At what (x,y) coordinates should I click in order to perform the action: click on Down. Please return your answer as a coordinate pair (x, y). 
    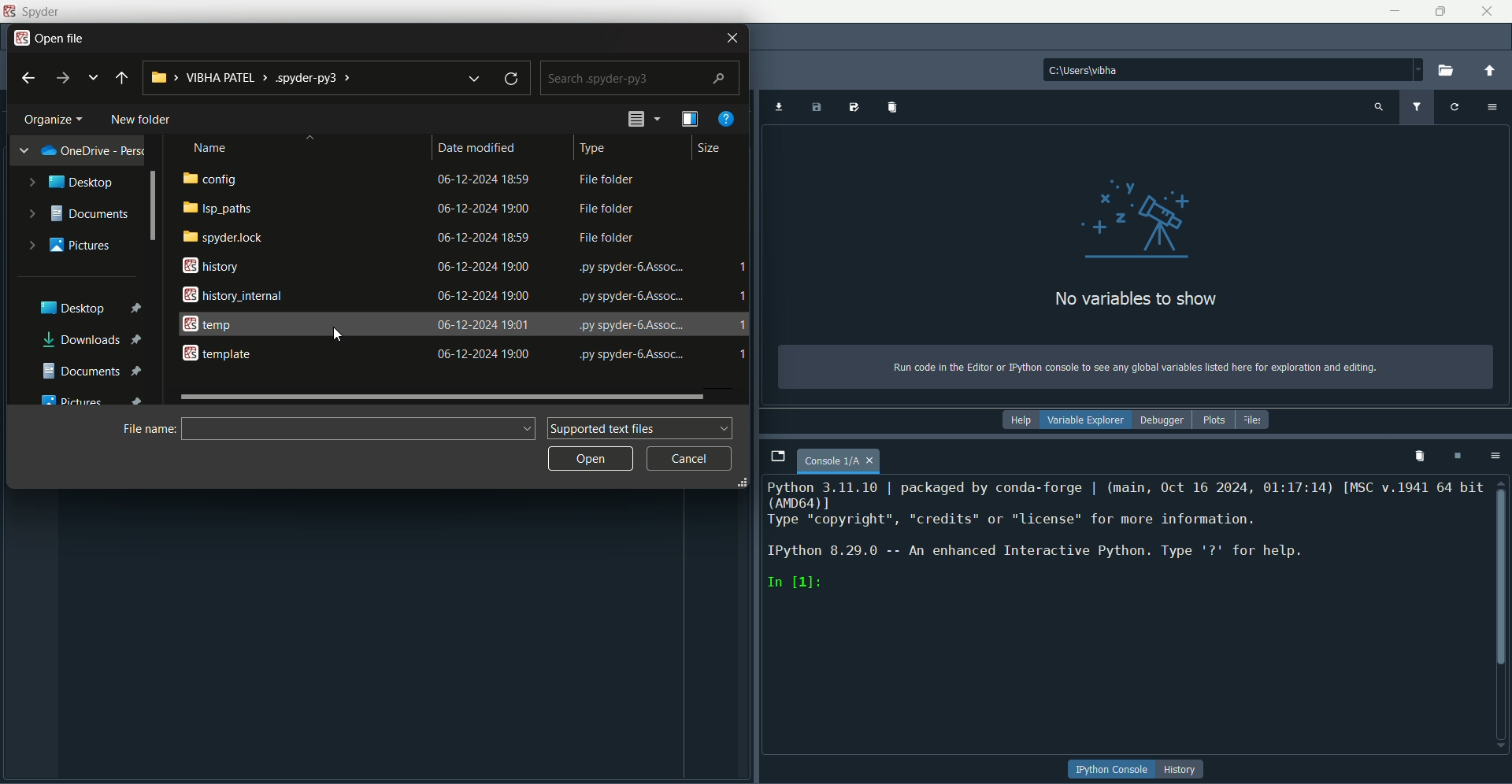
    Looking at the image, I should click on (1498, 745).